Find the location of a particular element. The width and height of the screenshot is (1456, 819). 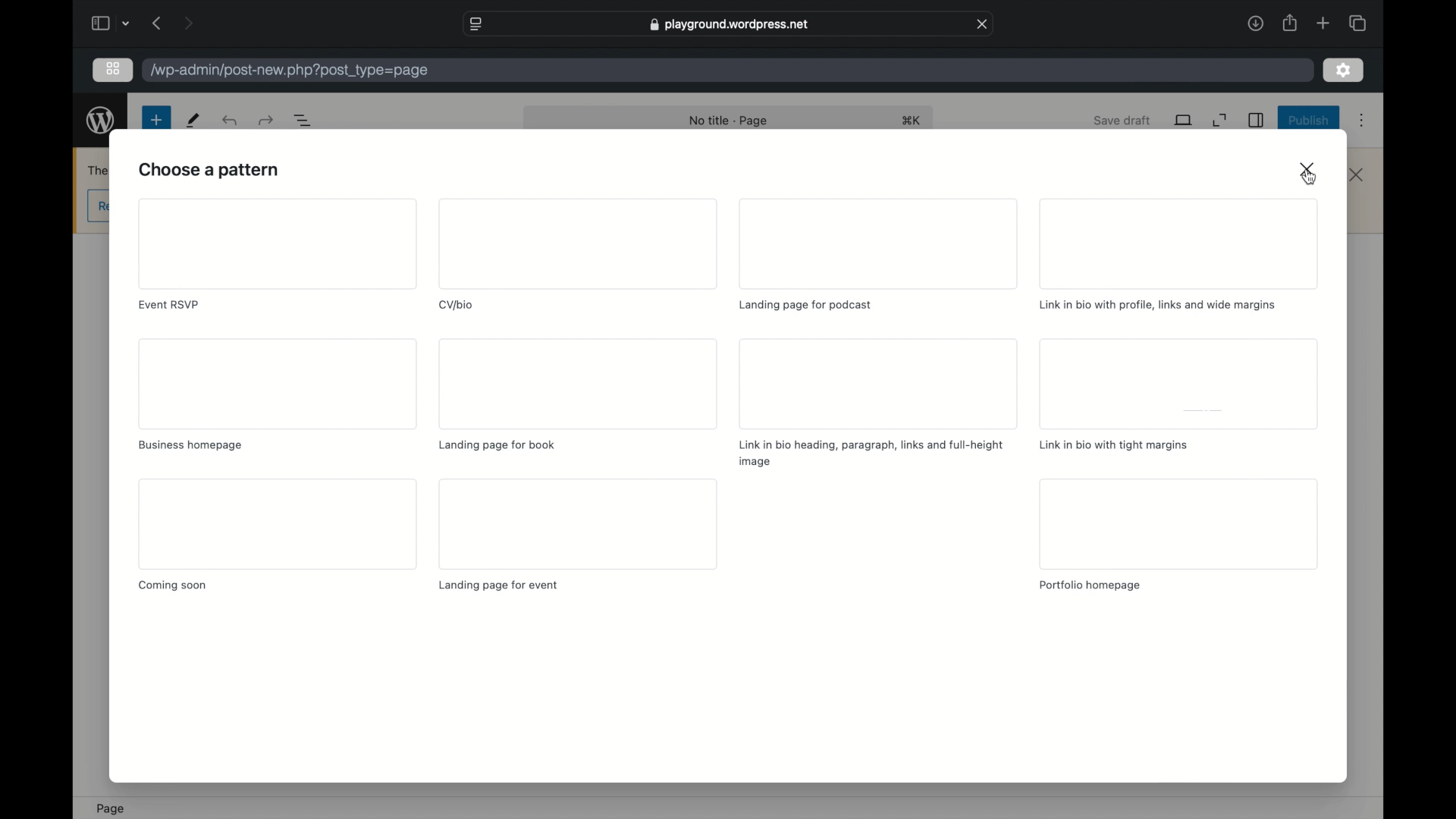

new is located at coordinates (156, 121).